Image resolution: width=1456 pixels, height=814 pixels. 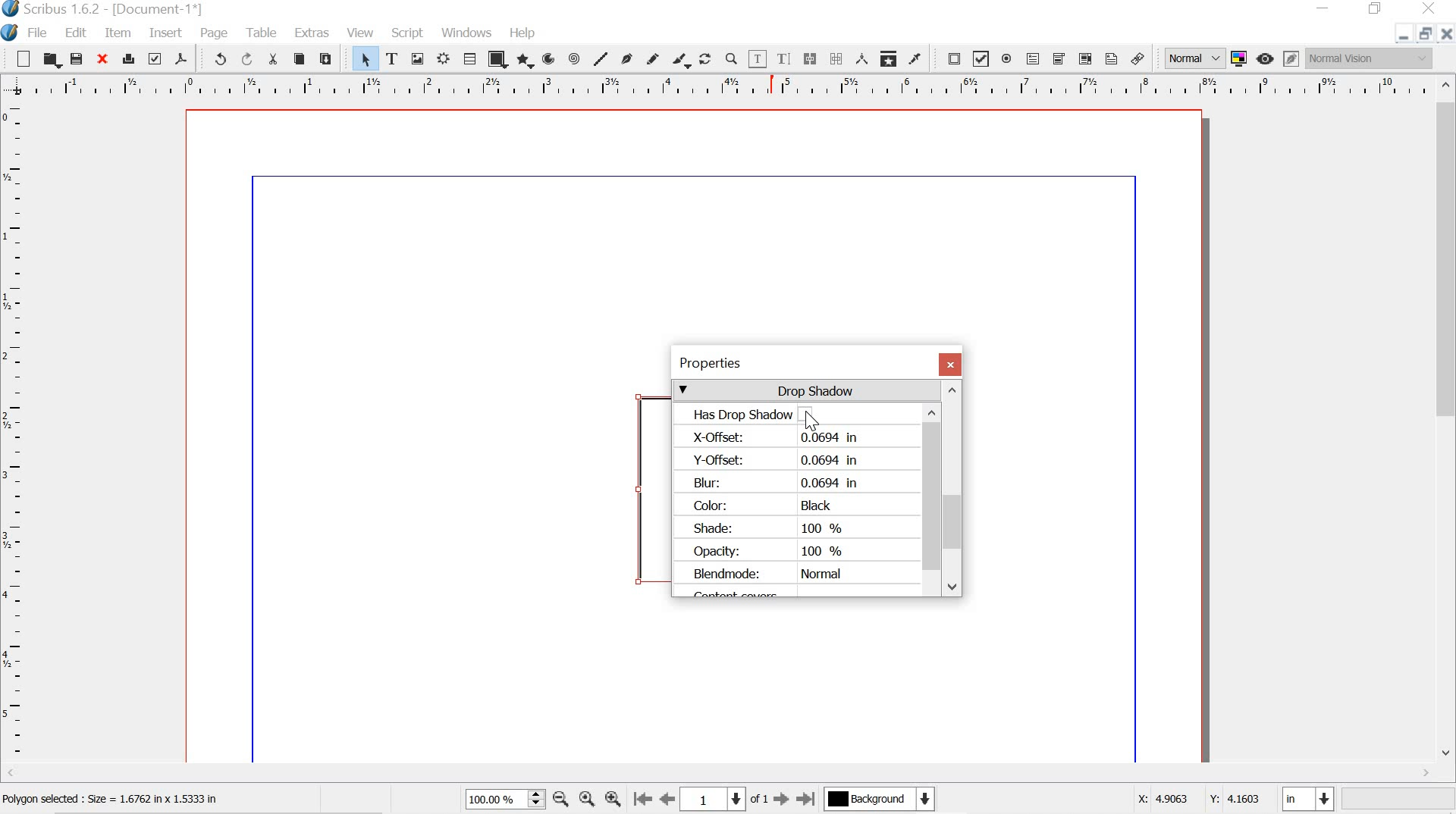 What do you see at coordinates (359, 33) in the screenshot?
I see `VIEW` at bounding box center [359, 33].